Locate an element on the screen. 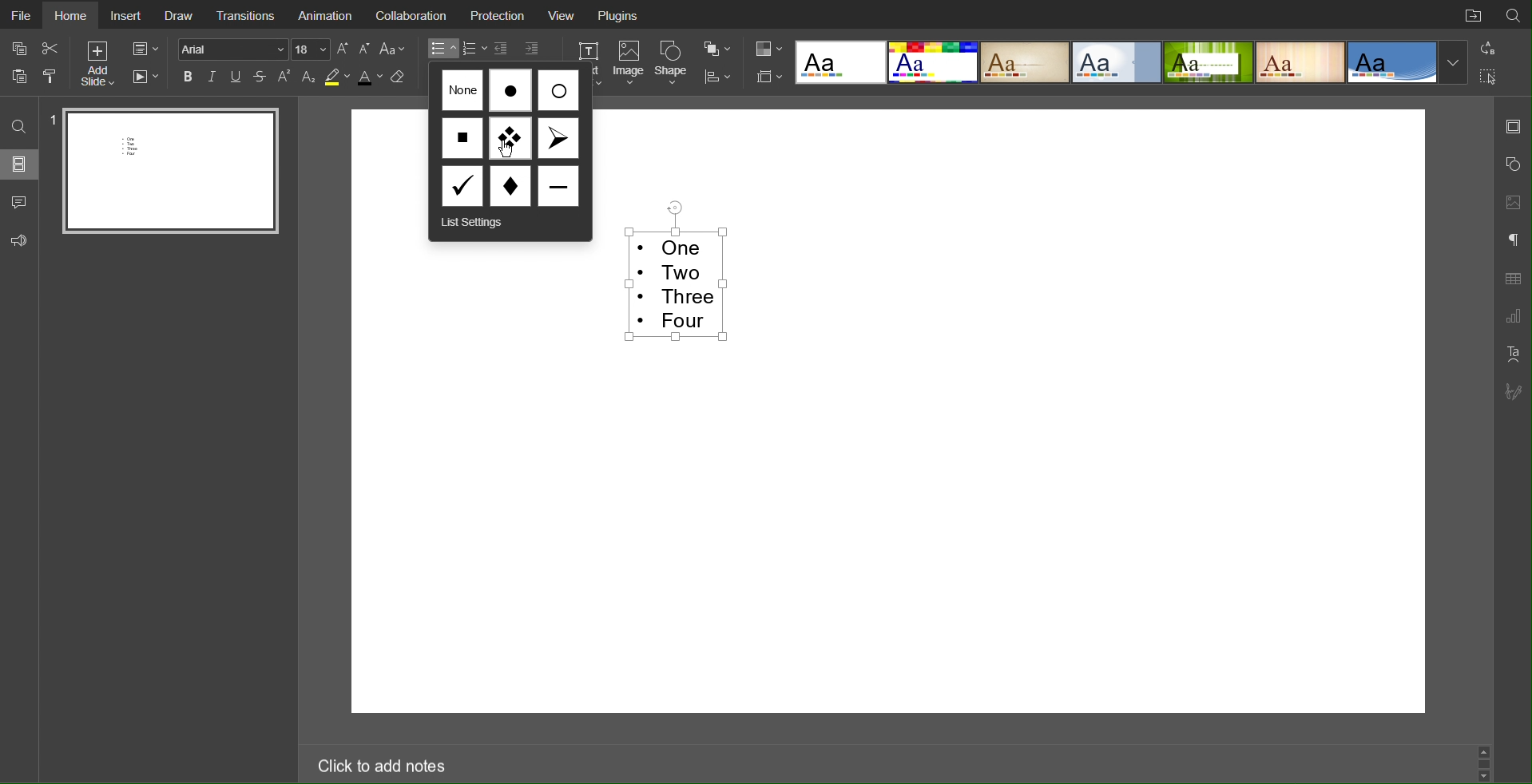 This screenshot has width=1532, height=784. Slide Size is located at coordinates (767, 76).